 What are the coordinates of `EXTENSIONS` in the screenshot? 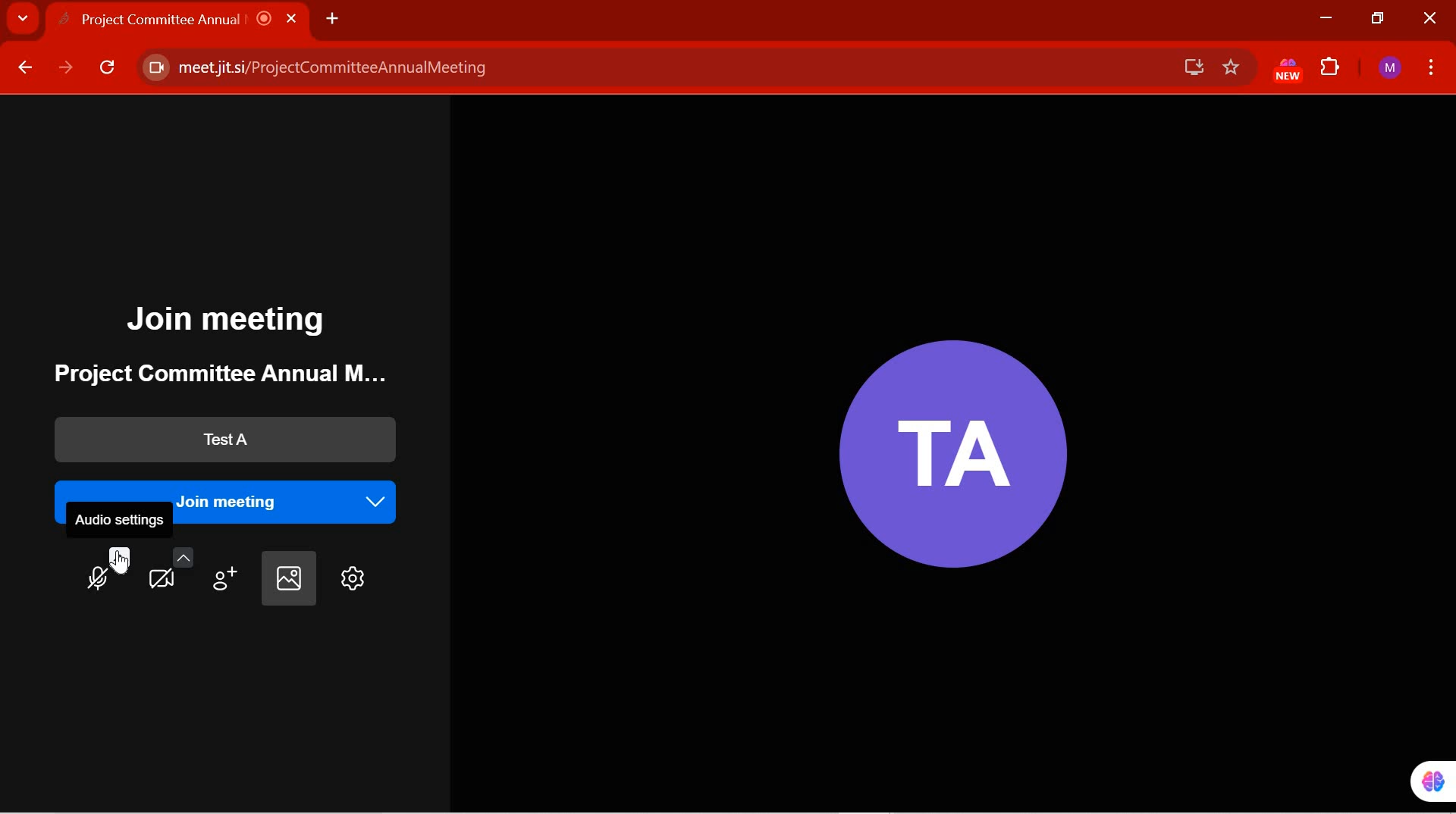 It's located at (1332, 69).